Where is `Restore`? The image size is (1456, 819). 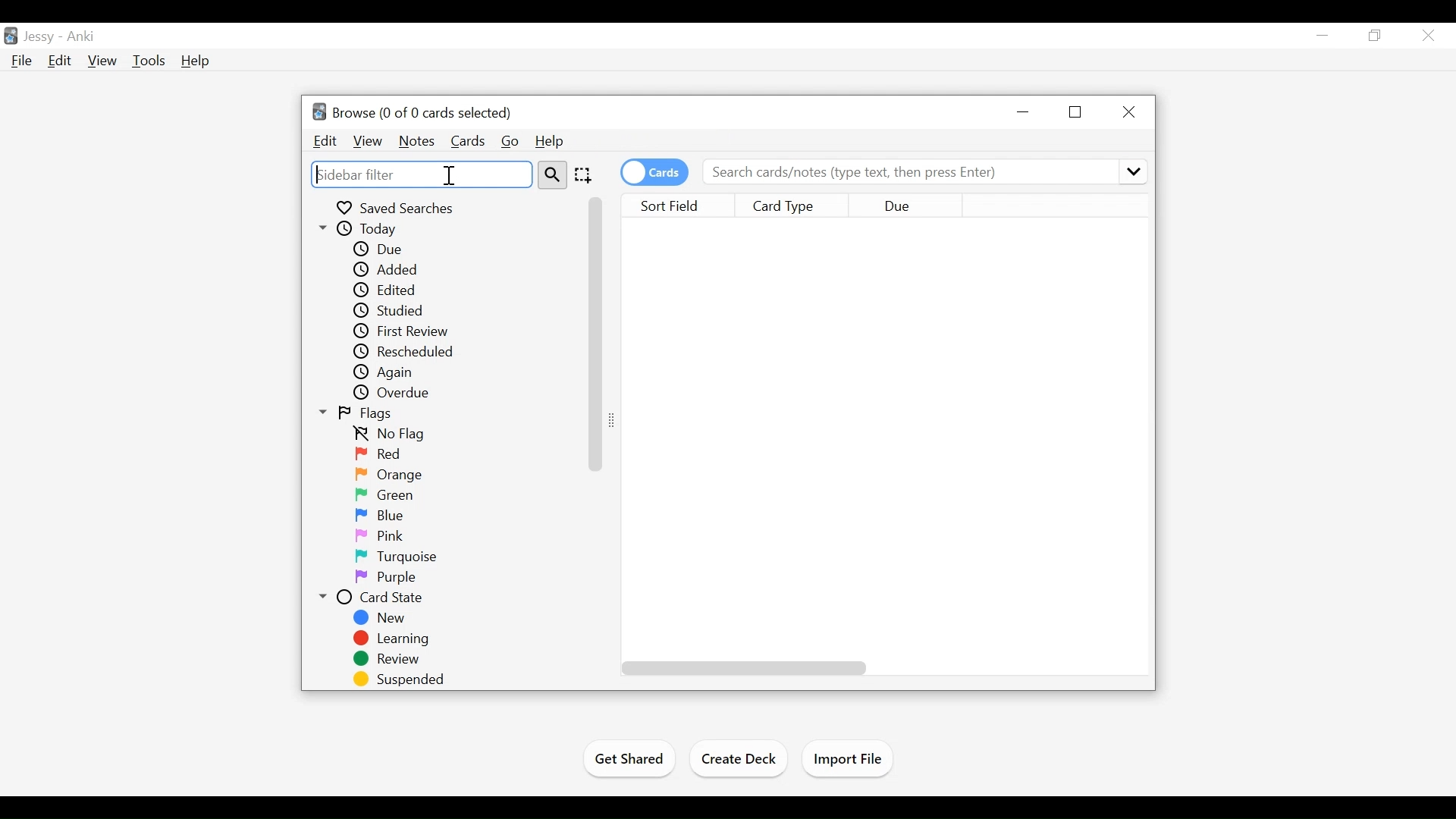 Restore is located at coordinates (1376, 36).